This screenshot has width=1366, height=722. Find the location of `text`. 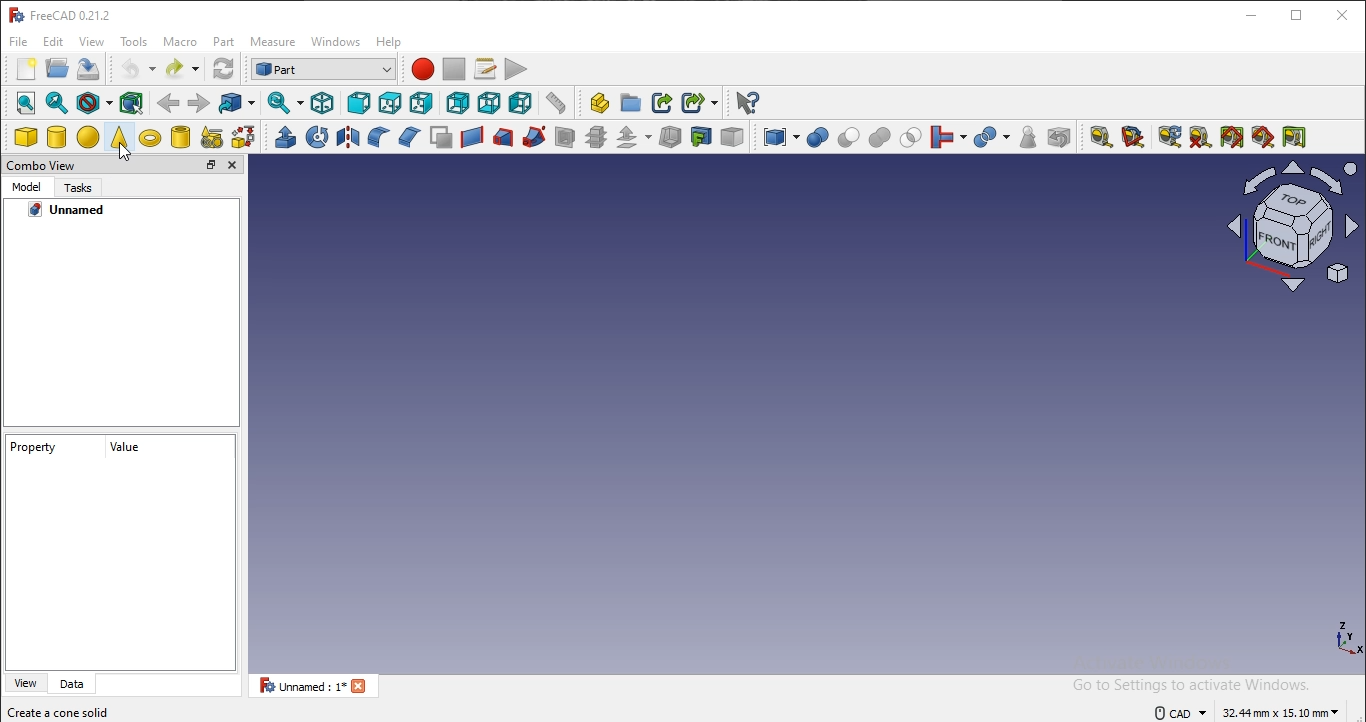

text is located at coordinates (1246, 711).